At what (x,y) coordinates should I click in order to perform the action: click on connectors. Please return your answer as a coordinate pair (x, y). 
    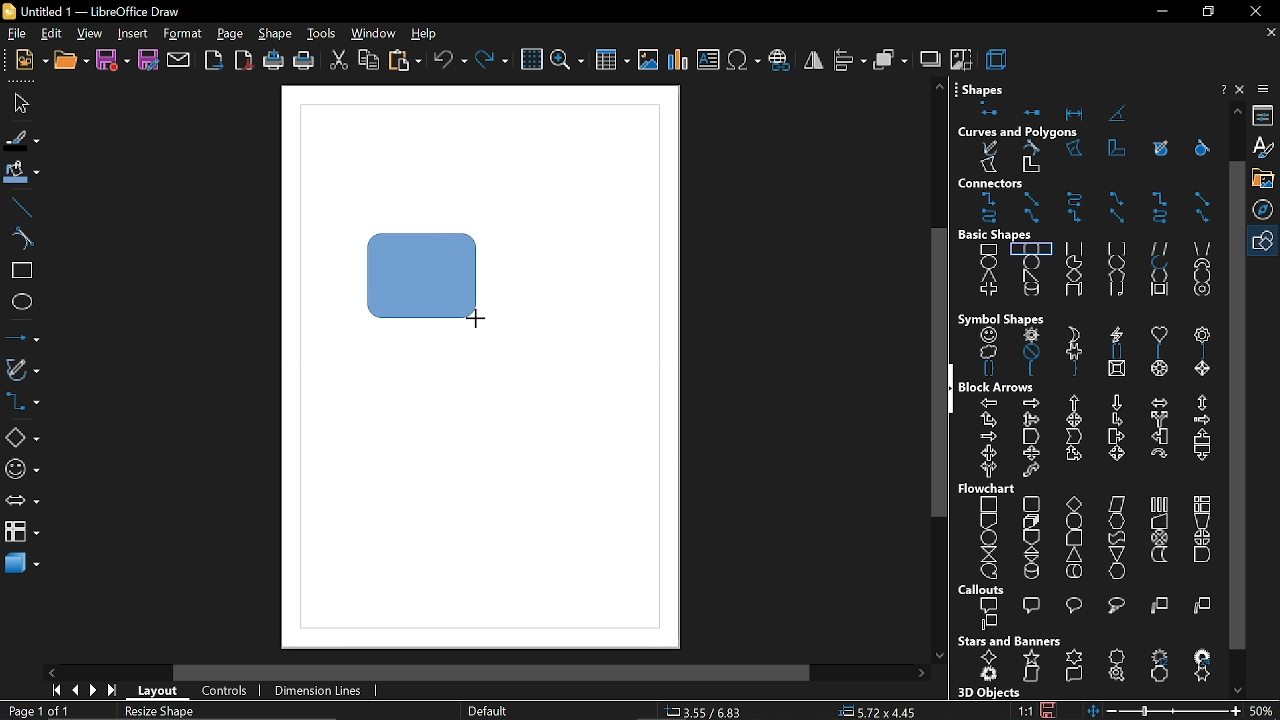
    Looking at the image, I should click on (1015, 184).